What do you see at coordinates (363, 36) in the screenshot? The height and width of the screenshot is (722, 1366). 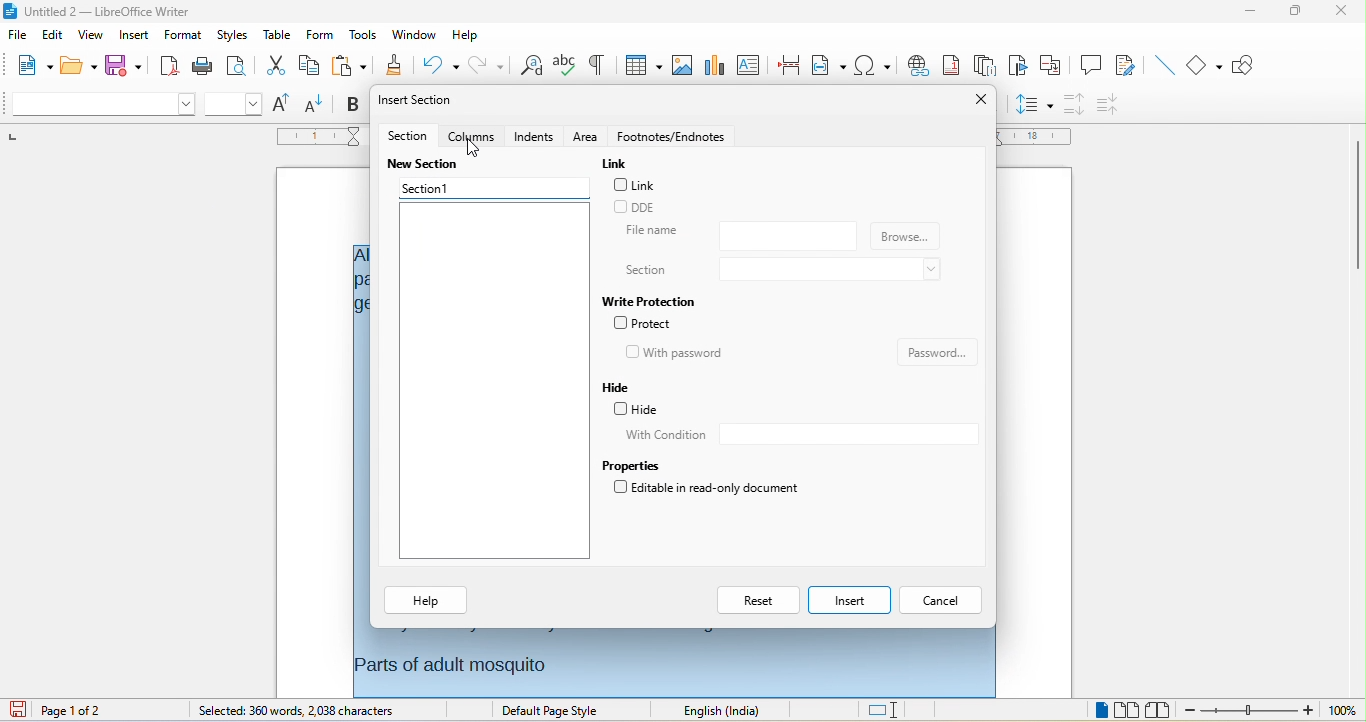 I see `tools` at bounding box center [363, 36].